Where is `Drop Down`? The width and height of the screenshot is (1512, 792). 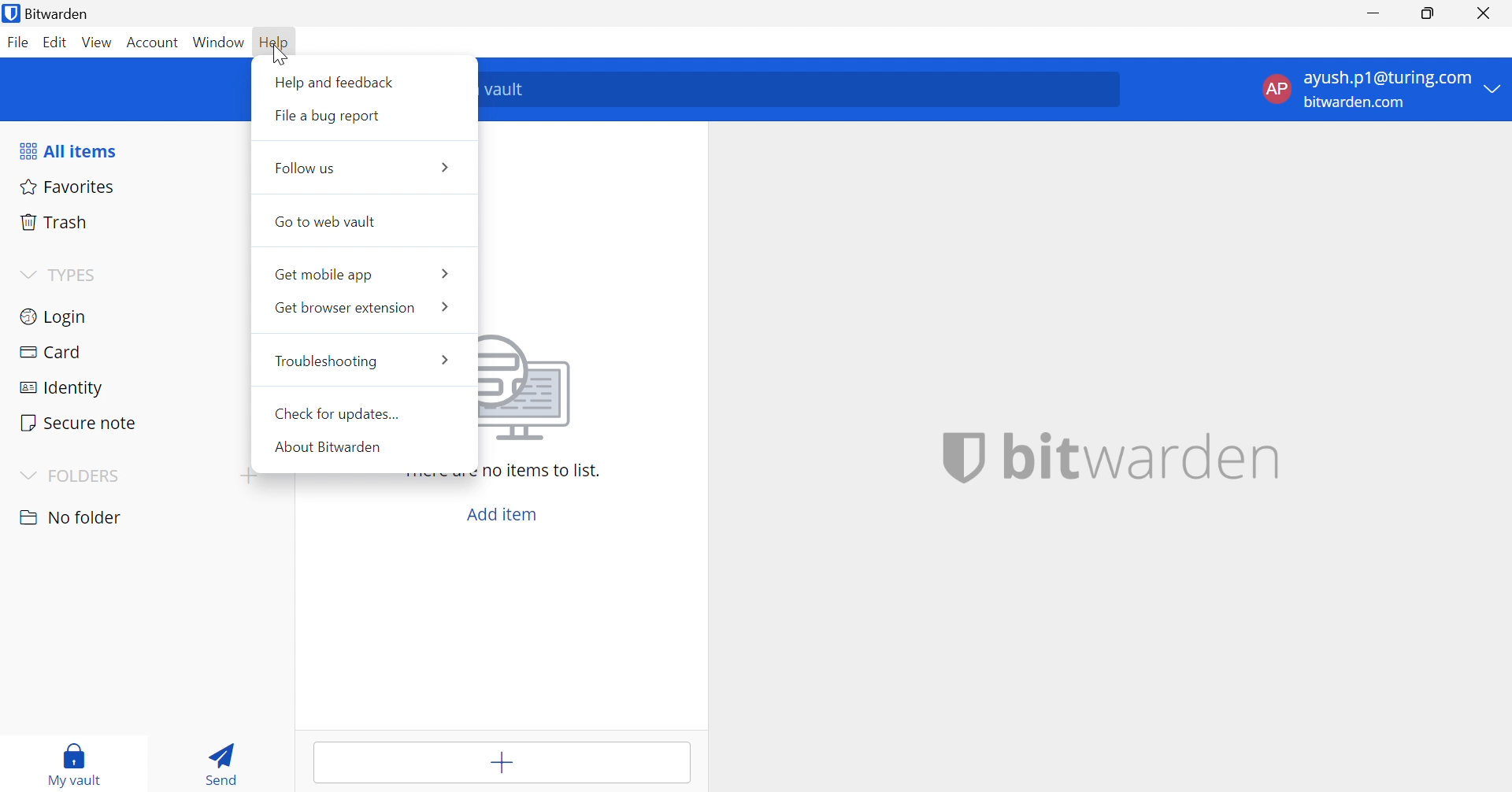
Drop Down is located at coordinates (69, 517).